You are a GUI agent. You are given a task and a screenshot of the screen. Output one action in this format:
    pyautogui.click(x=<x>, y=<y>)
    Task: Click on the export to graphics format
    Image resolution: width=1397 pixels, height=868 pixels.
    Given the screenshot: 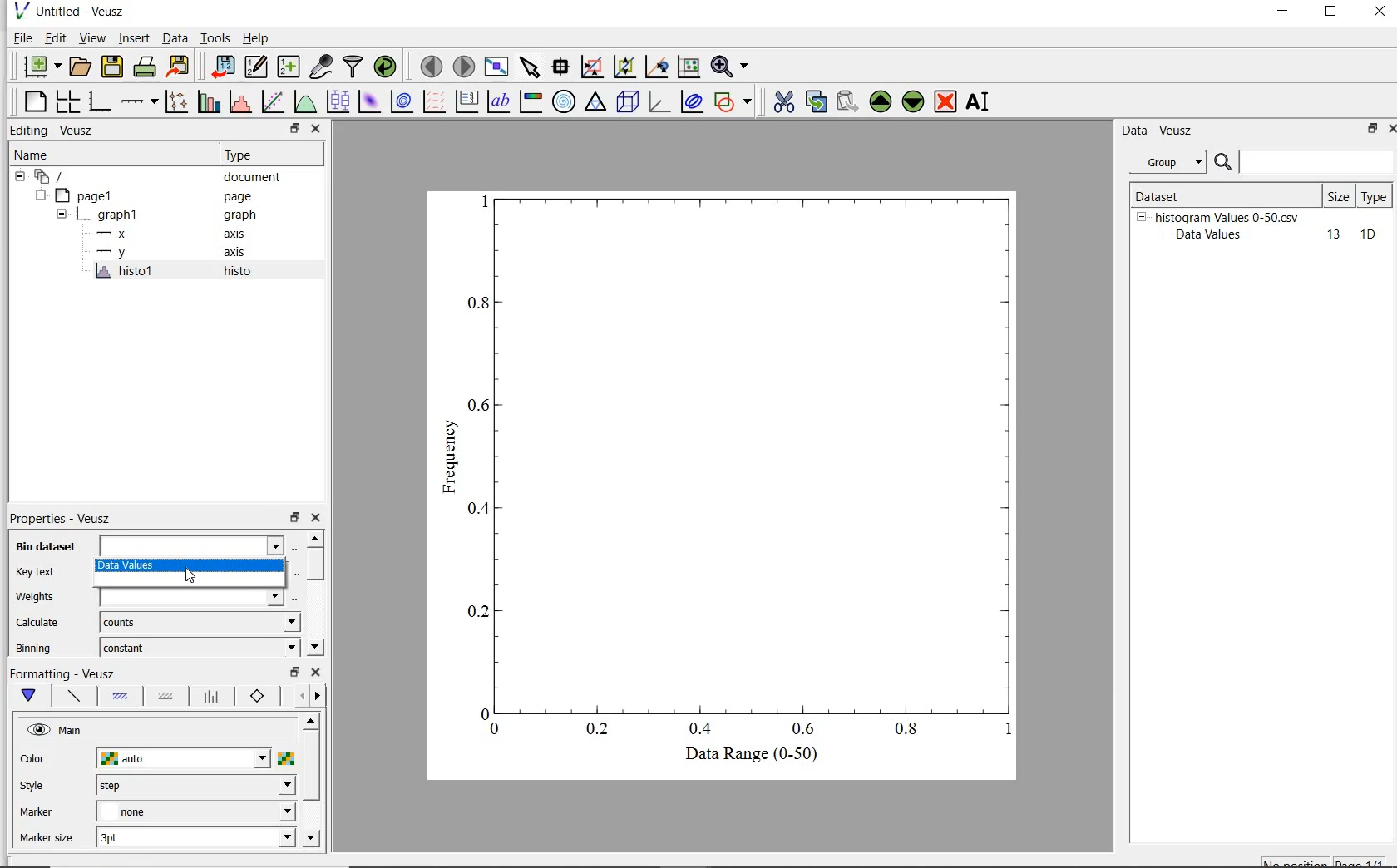 What is the action you would take?
    pyautogui.click(x=180, y=65)
    